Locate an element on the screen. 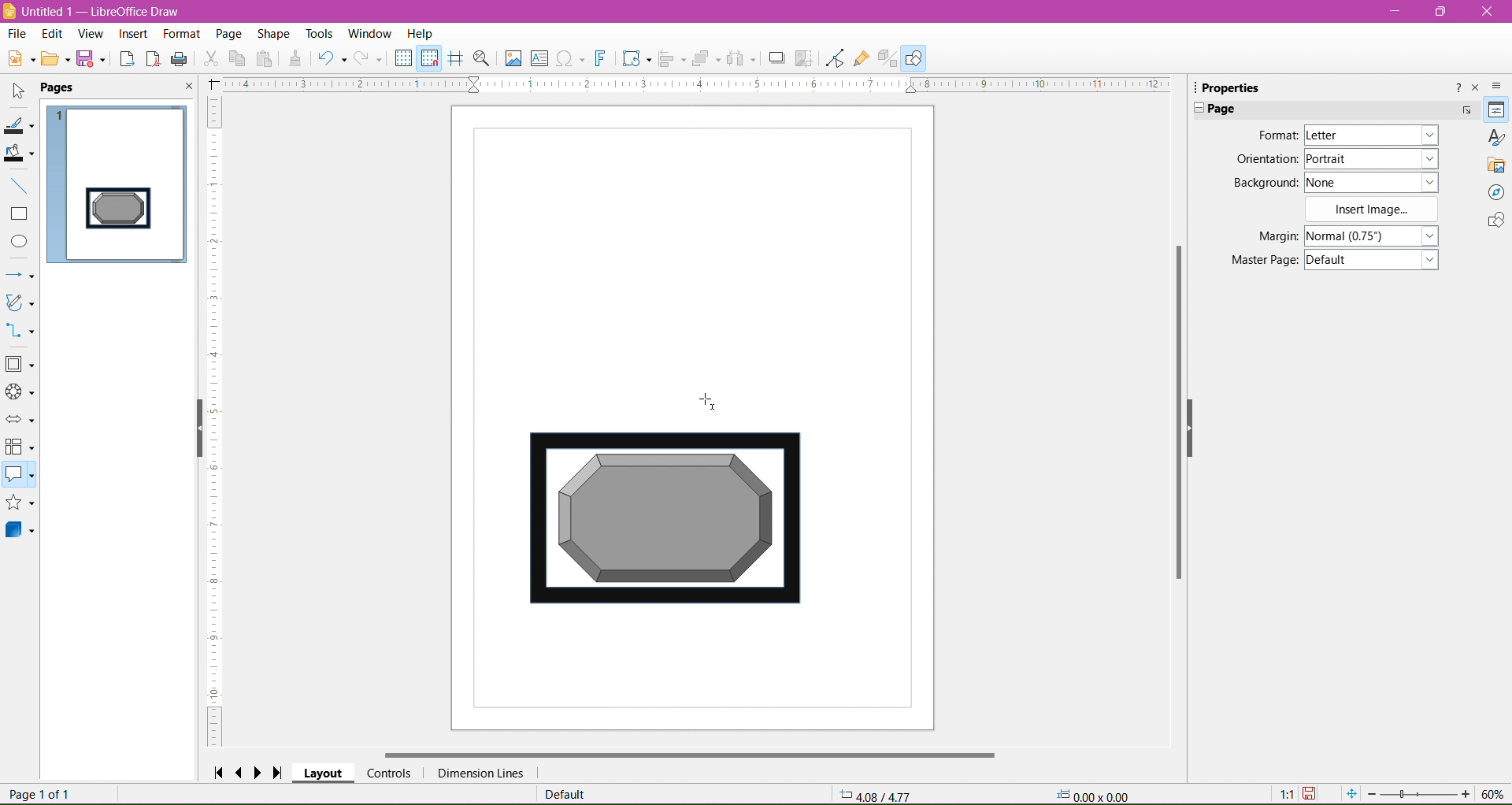 The width and height of the screenshot is (1512, 805). Redo is located at coordinates (370, 58).